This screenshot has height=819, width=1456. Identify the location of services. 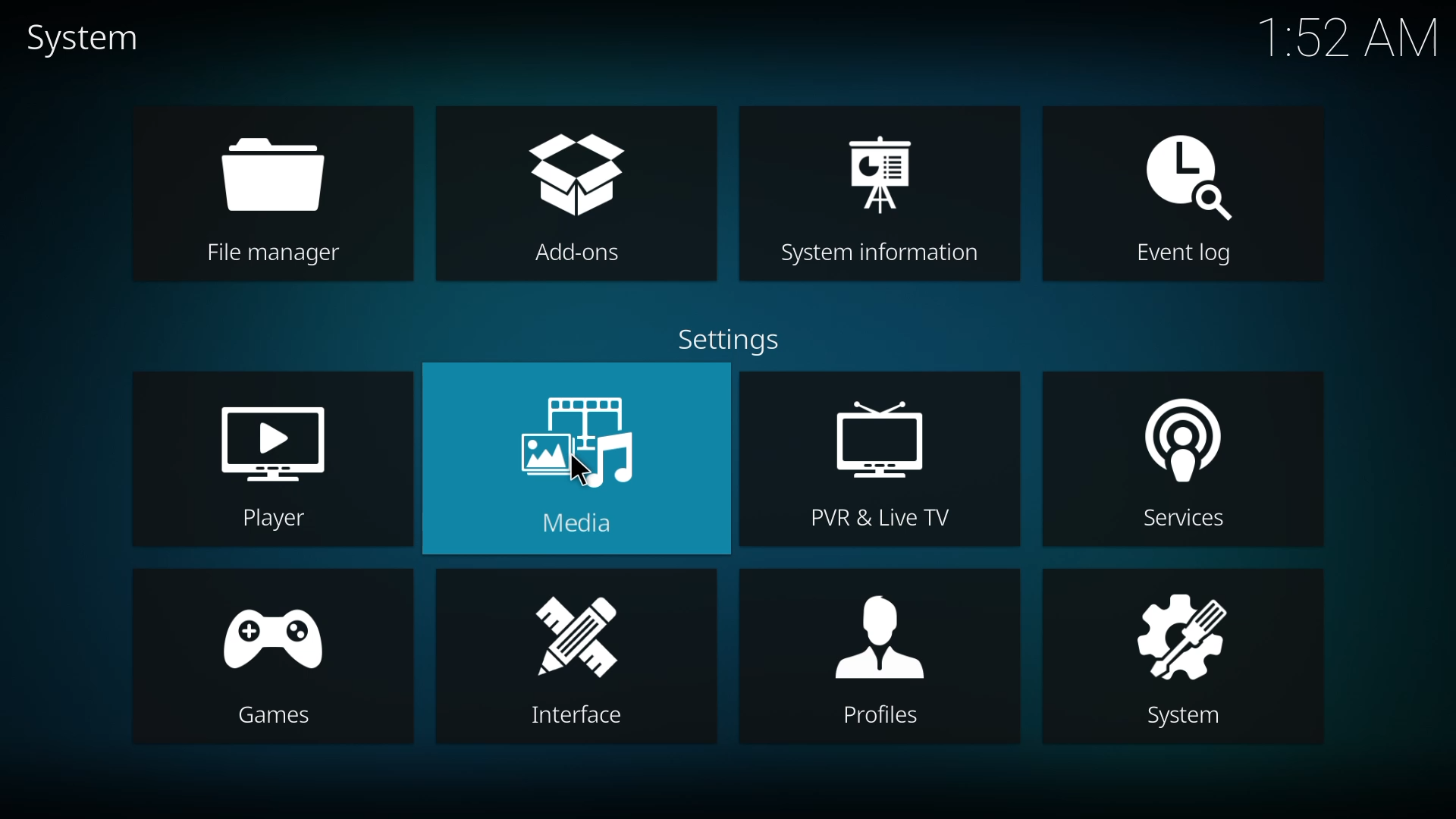
(1179, 462).